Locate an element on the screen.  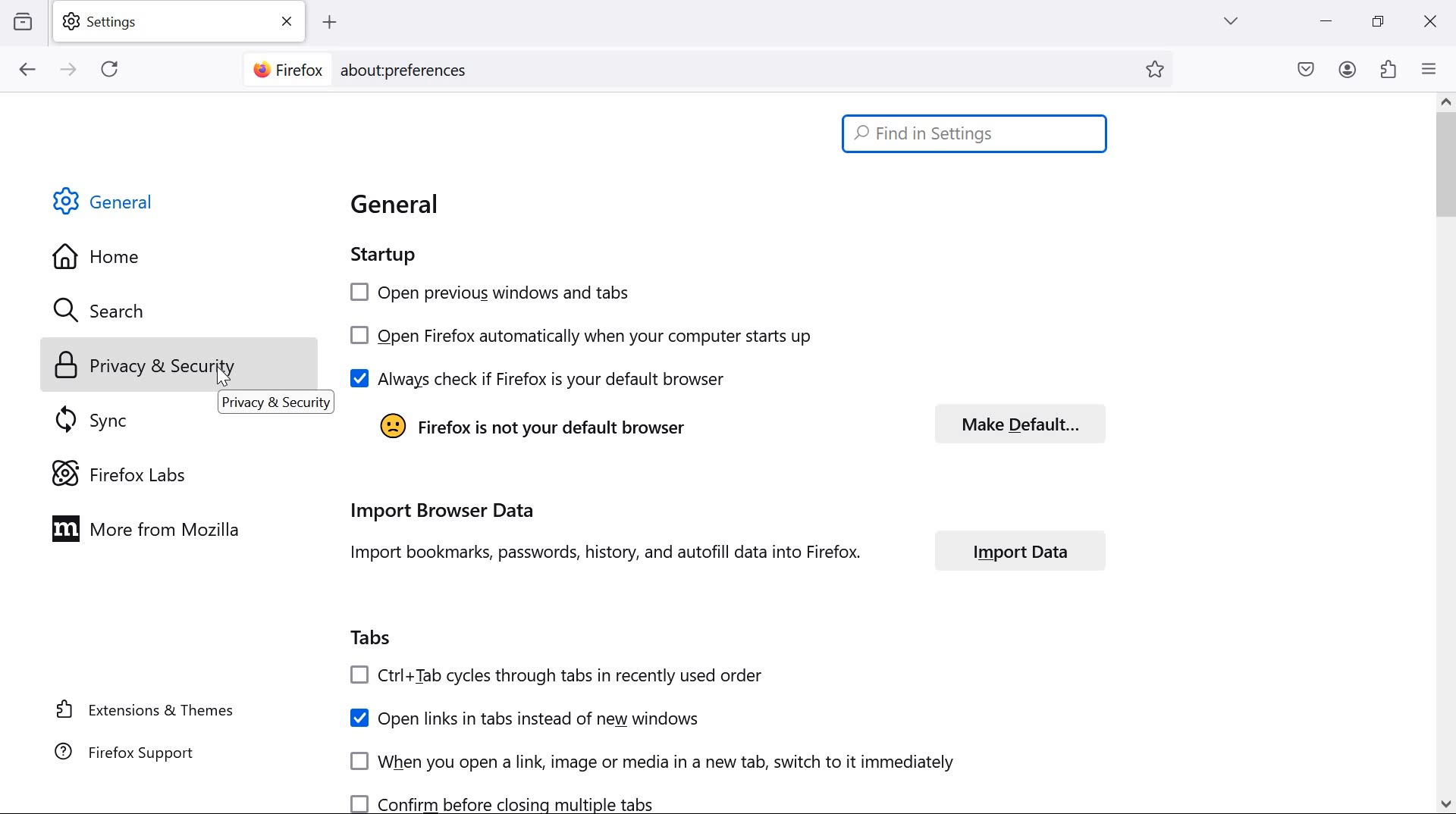
privacy & security is located at coordinates (278, 403).